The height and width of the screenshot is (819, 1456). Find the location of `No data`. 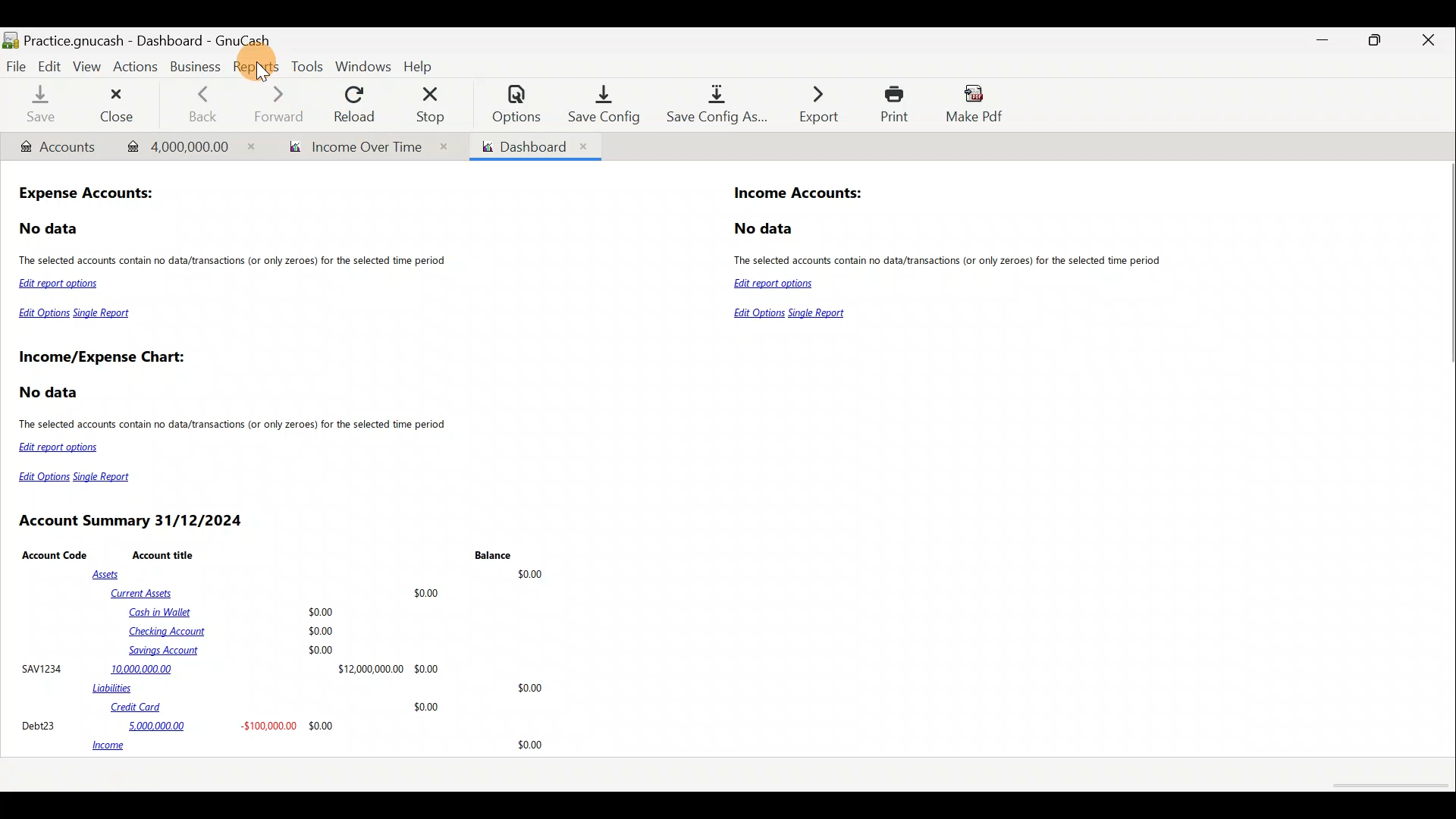

No data is located at coordinates (51, 393).